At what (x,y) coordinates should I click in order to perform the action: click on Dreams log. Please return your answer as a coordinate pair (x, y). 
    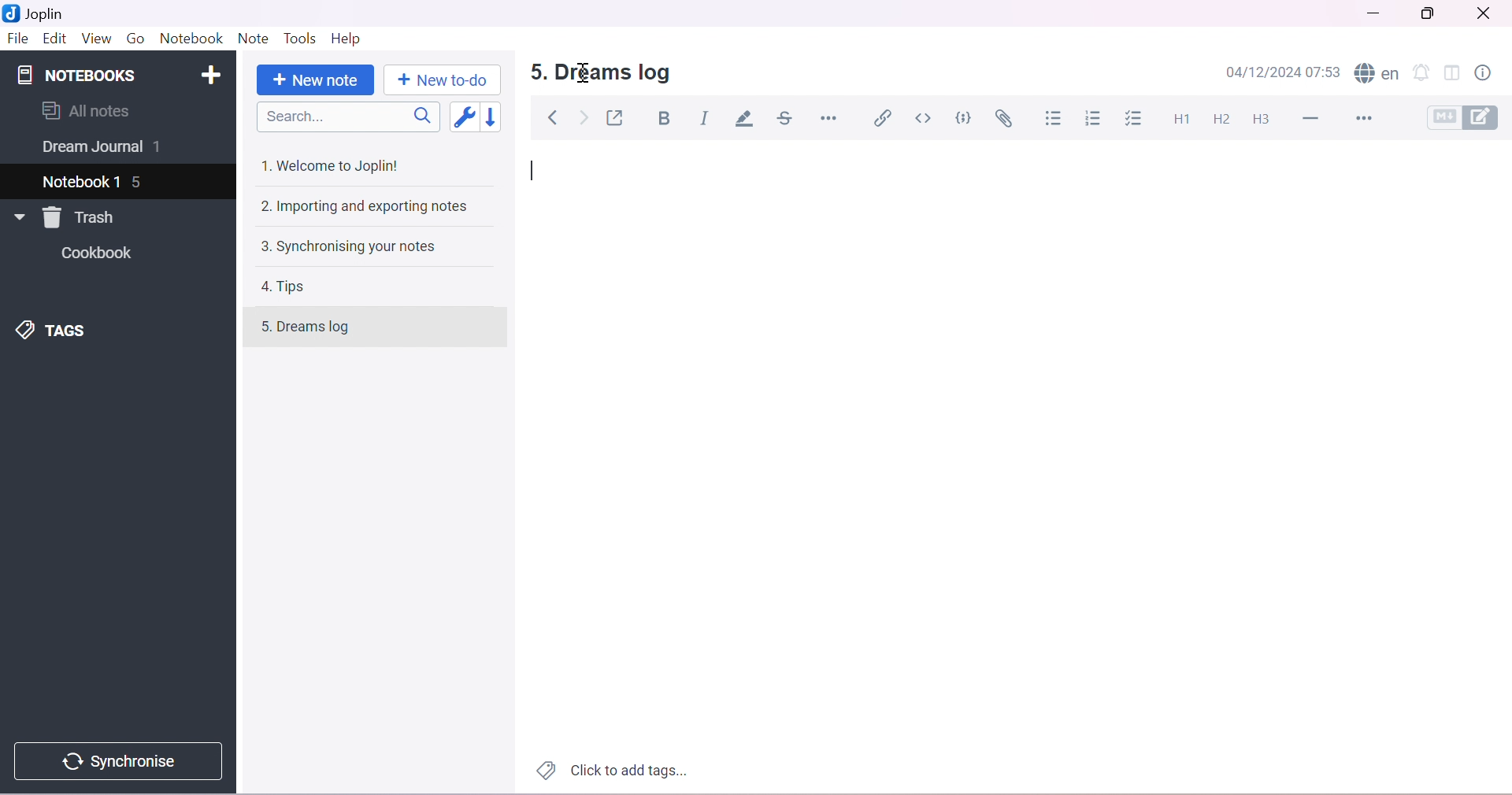
    Looking at the image, I should click on (616, 73).